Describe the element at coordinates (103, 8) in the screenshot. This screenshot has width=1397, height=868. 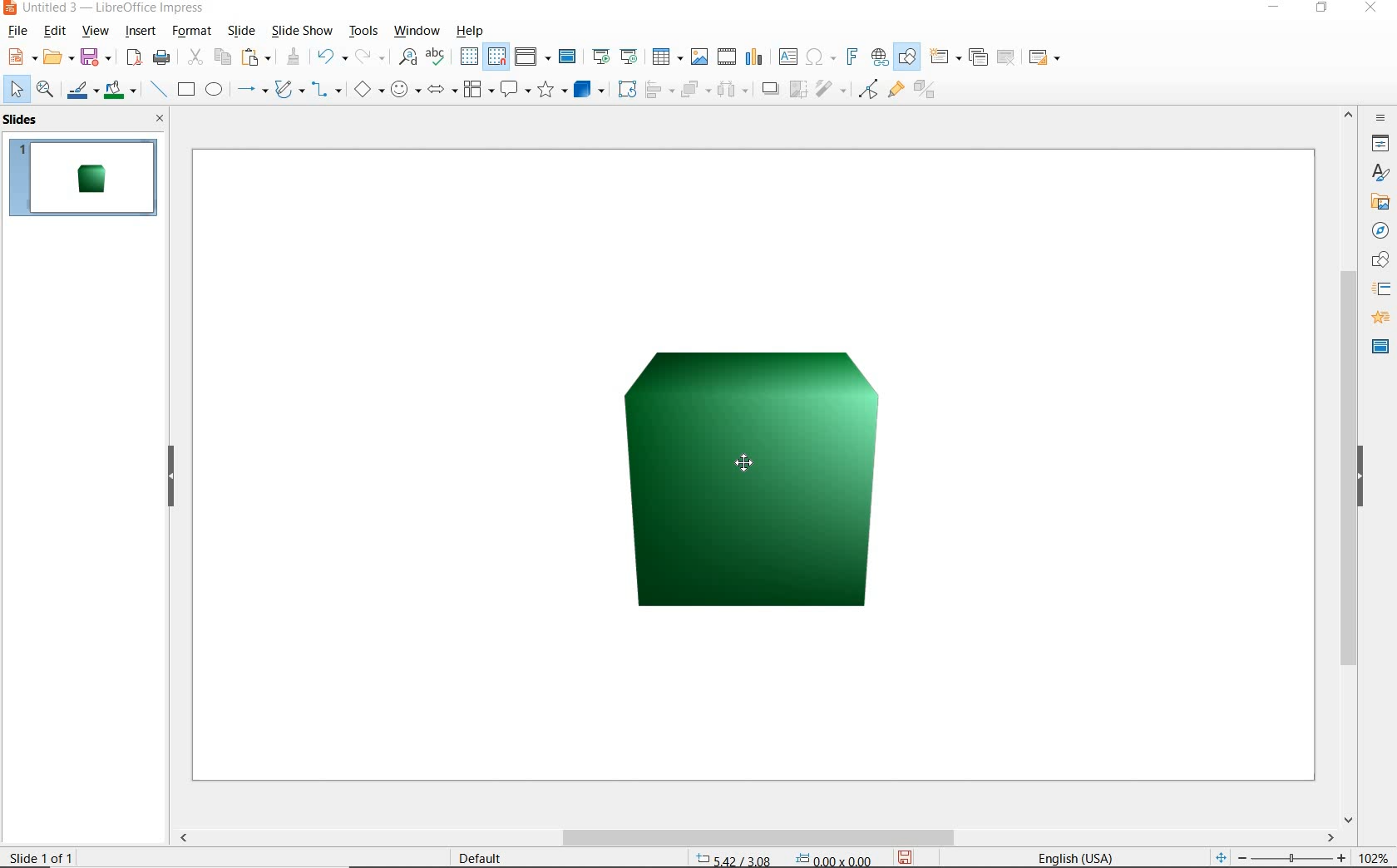
I see `file name` at that location.